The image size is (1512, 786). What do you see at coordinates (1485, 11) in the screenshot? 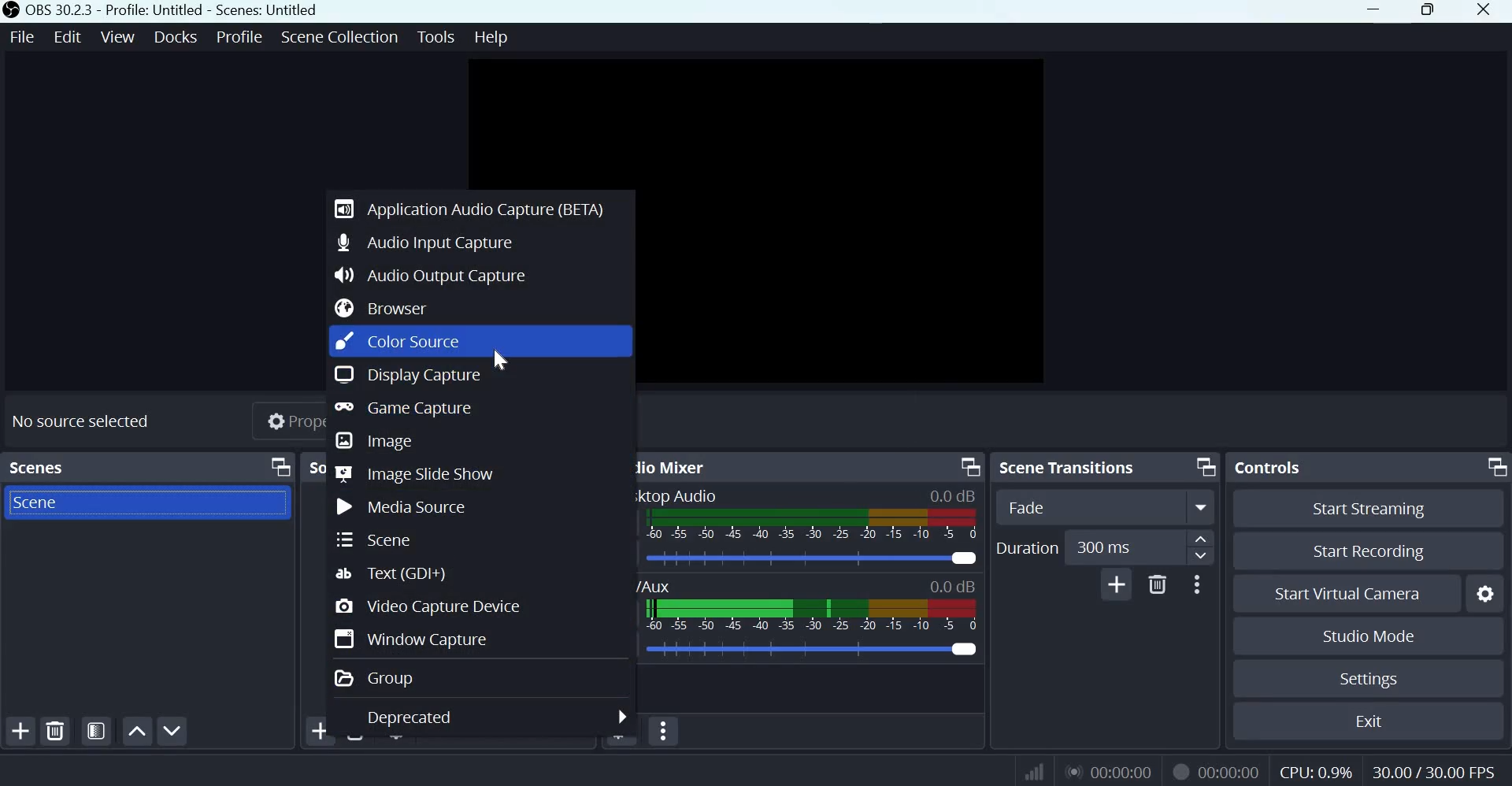
I see `Close` at bounding box center [1485, 11].